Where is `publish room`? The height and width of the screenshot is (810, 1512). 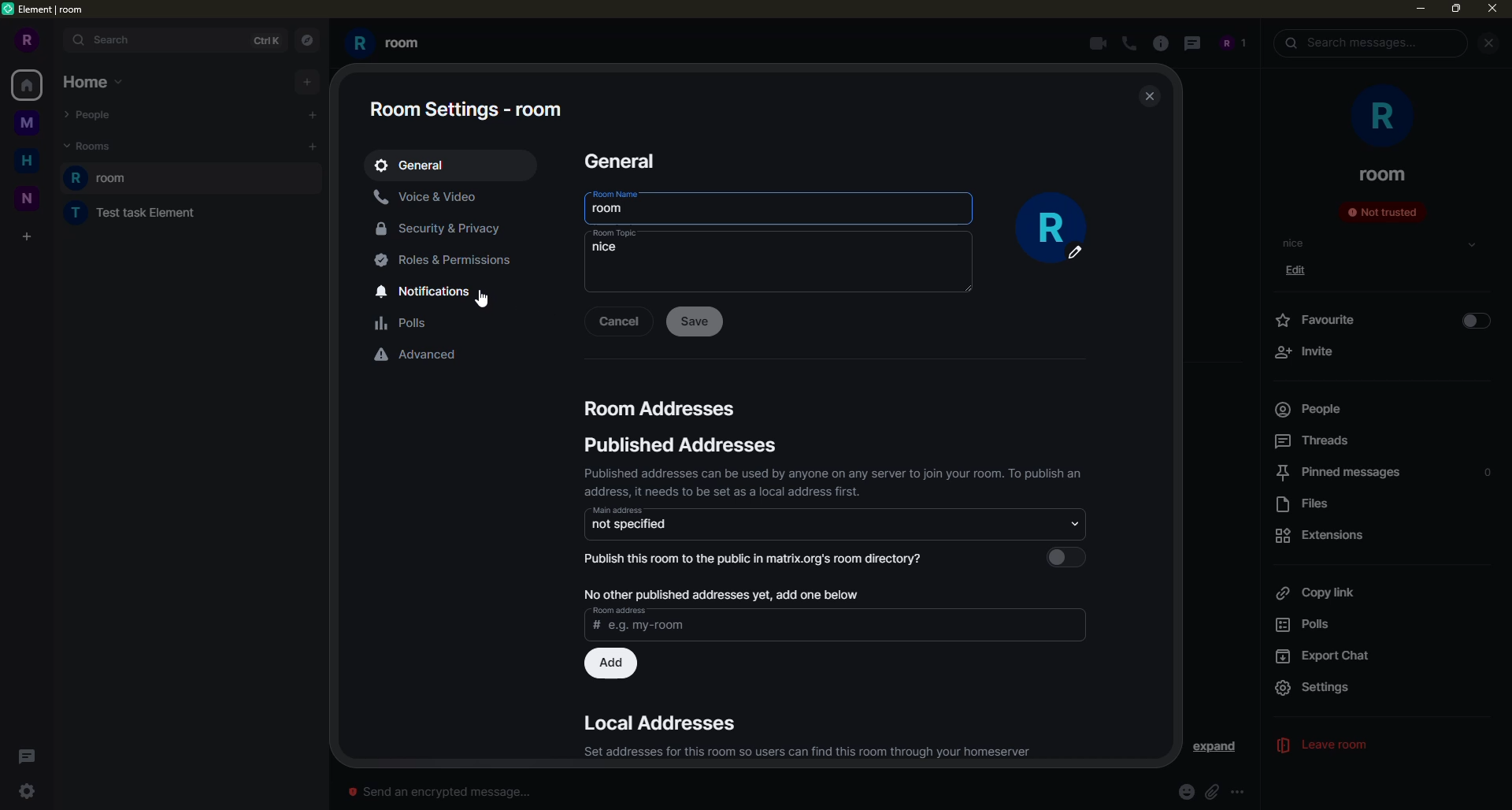 publish room is located at coordinates (763, 561).